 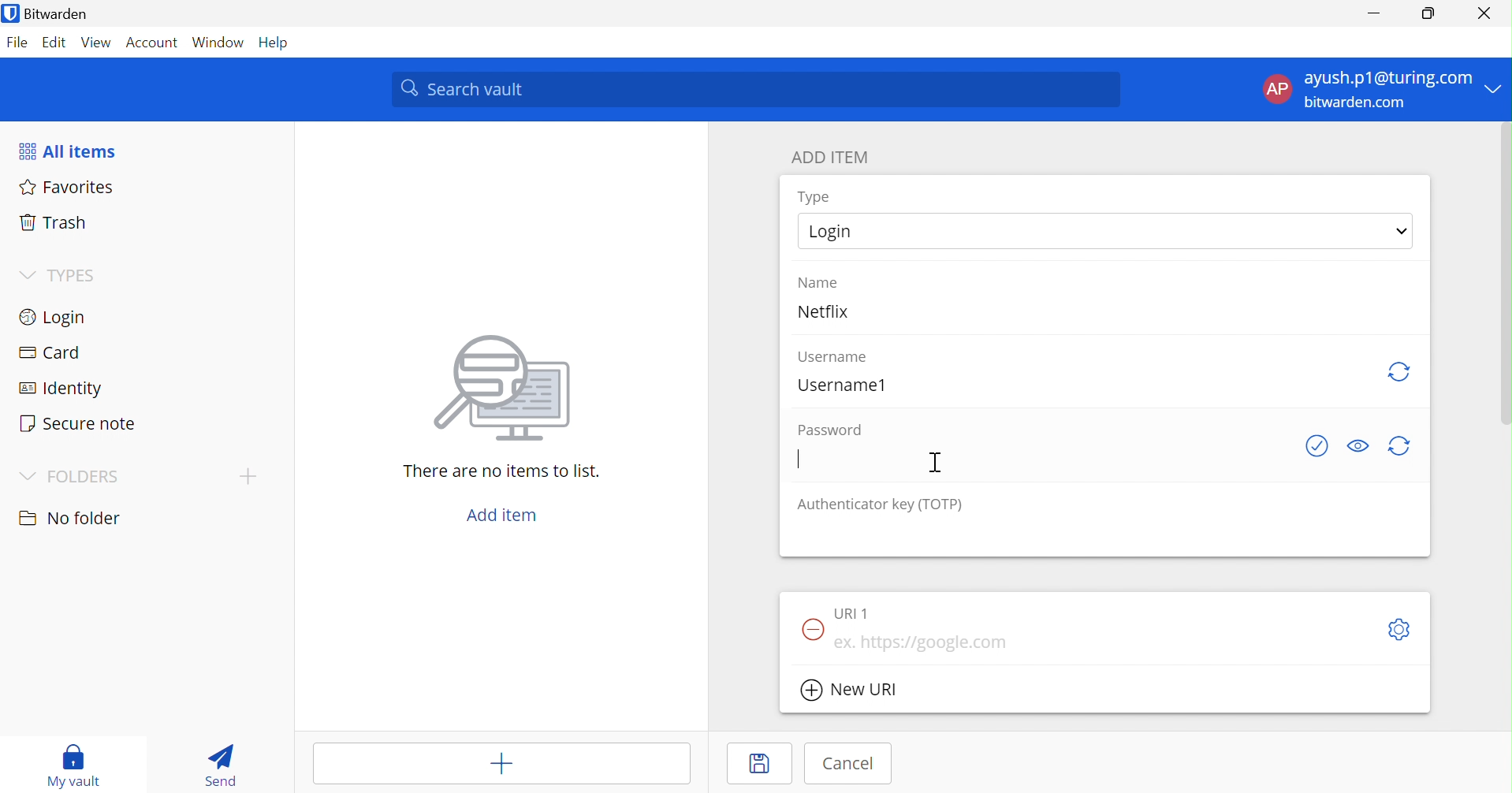 What do you see at coordinates (18, 43) in the screenshot?
I see `File` at bounding box center [18, 43].